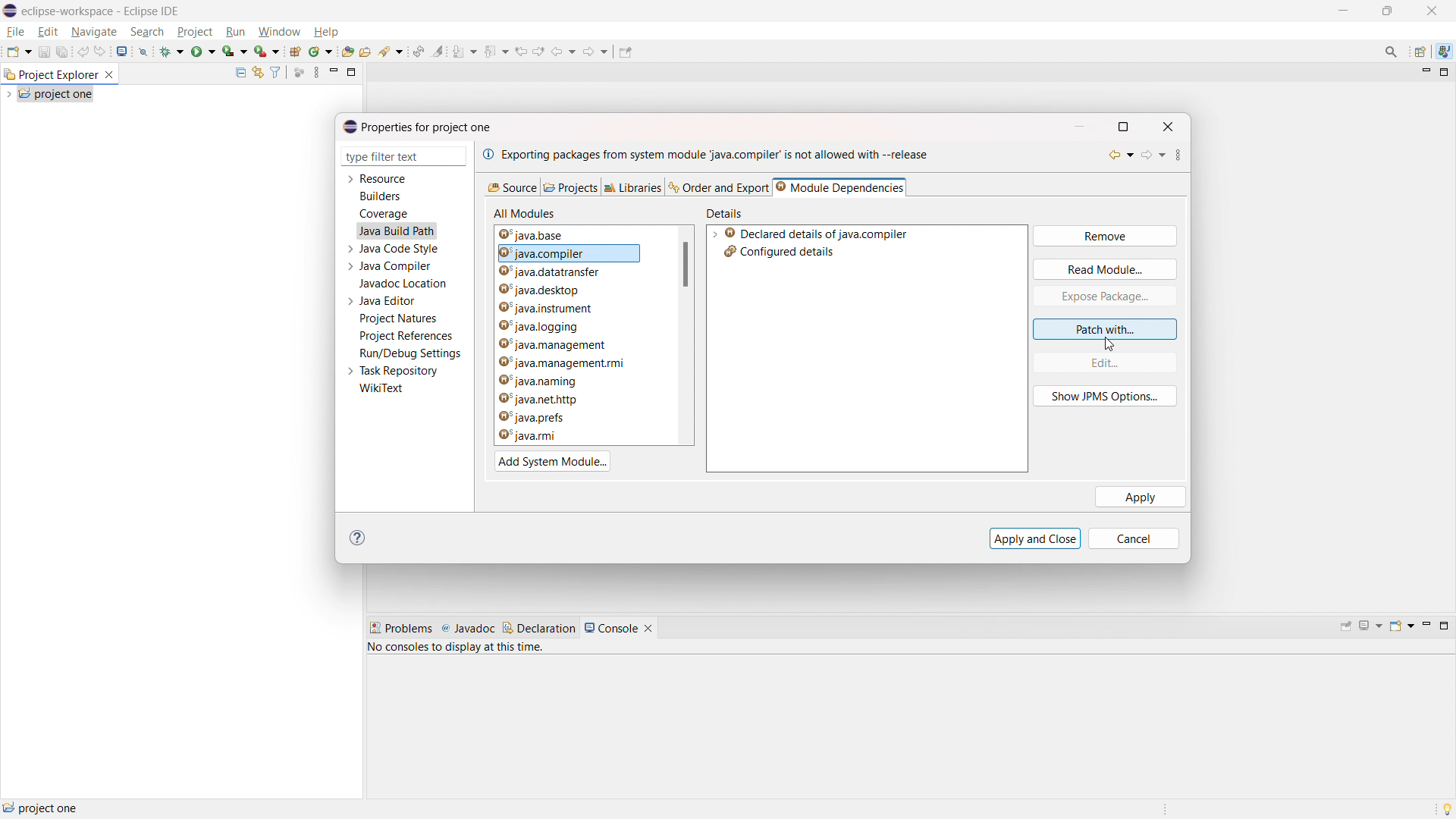 This screenshot has height=819, width=1456. What do you see at coordinates (1392, 51) in the screenshot?
I see `access commands and other items` at bounding box center [1392, 51].